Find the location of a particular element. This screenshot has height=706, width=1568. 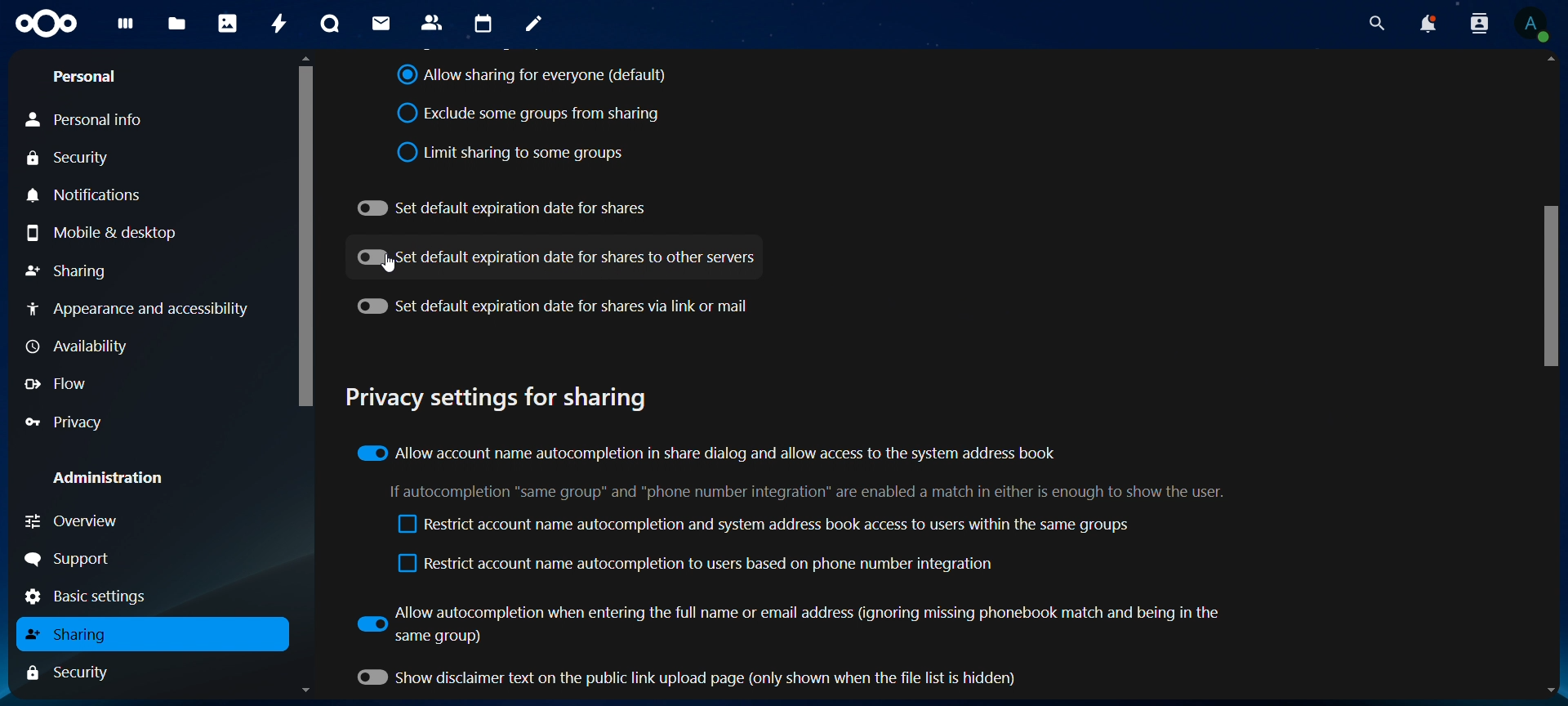

allow account name autocompletion in share dialog and allow access to ht system address book is located at coordinates (724, 451).